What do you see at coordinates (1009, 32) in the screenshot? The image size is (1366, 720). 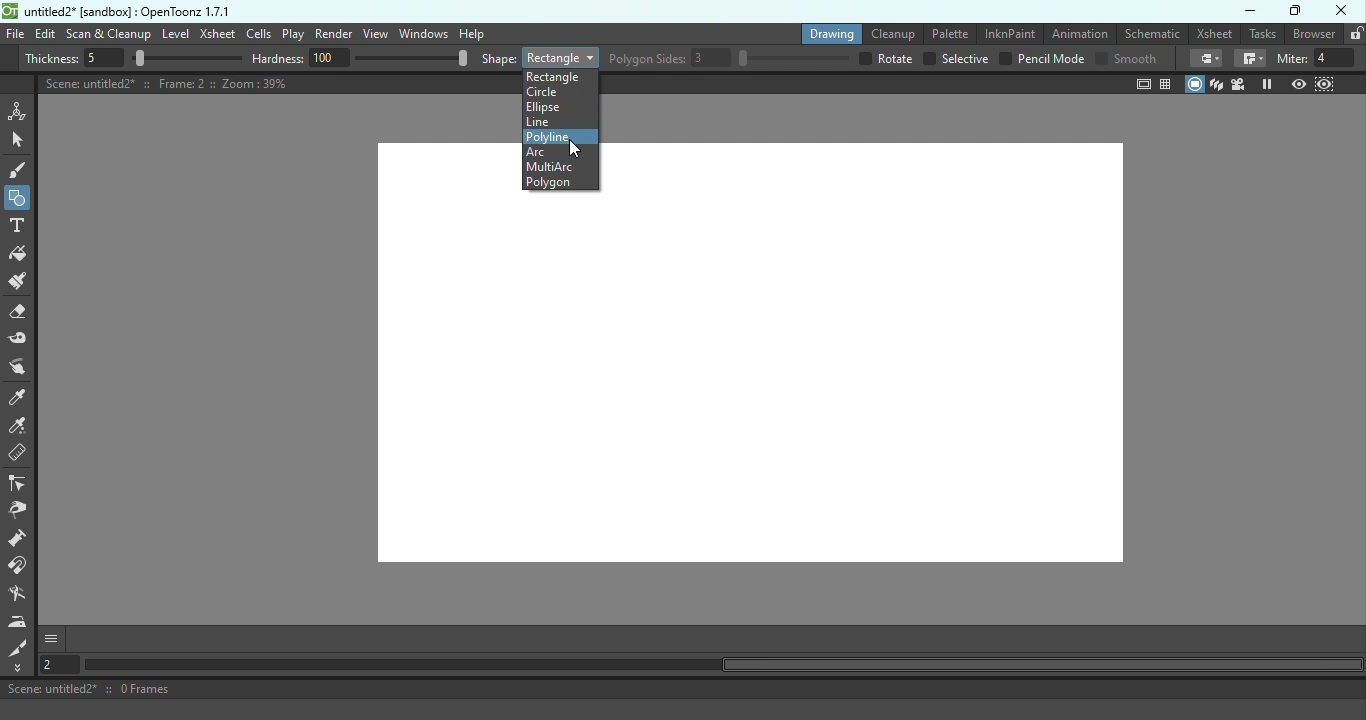 I see `InknPaint` at bounding box center [1009, 32].